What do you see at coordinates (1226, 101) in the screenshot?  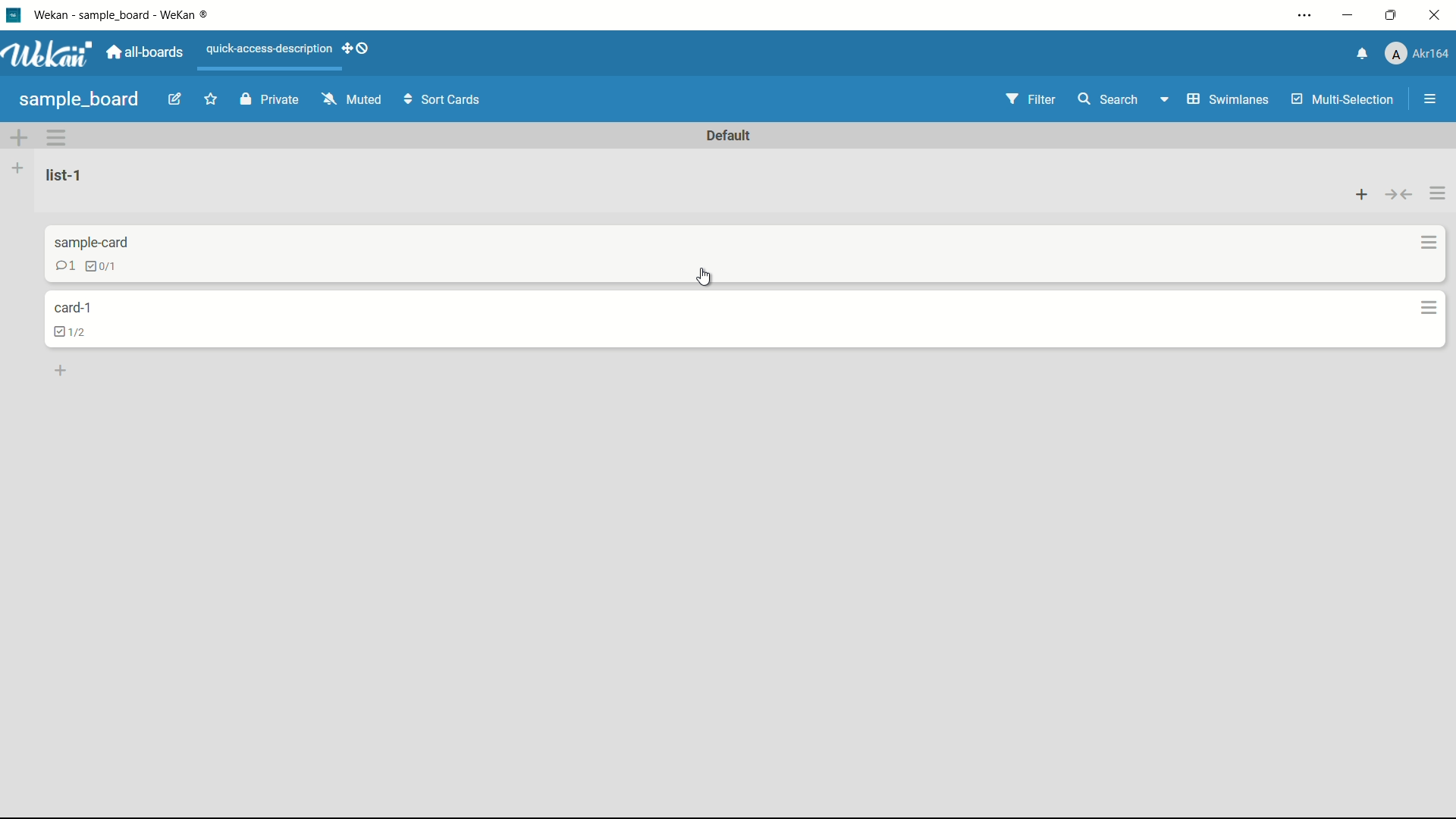 I see `swimlanes` at bounding box center [1226, 101].